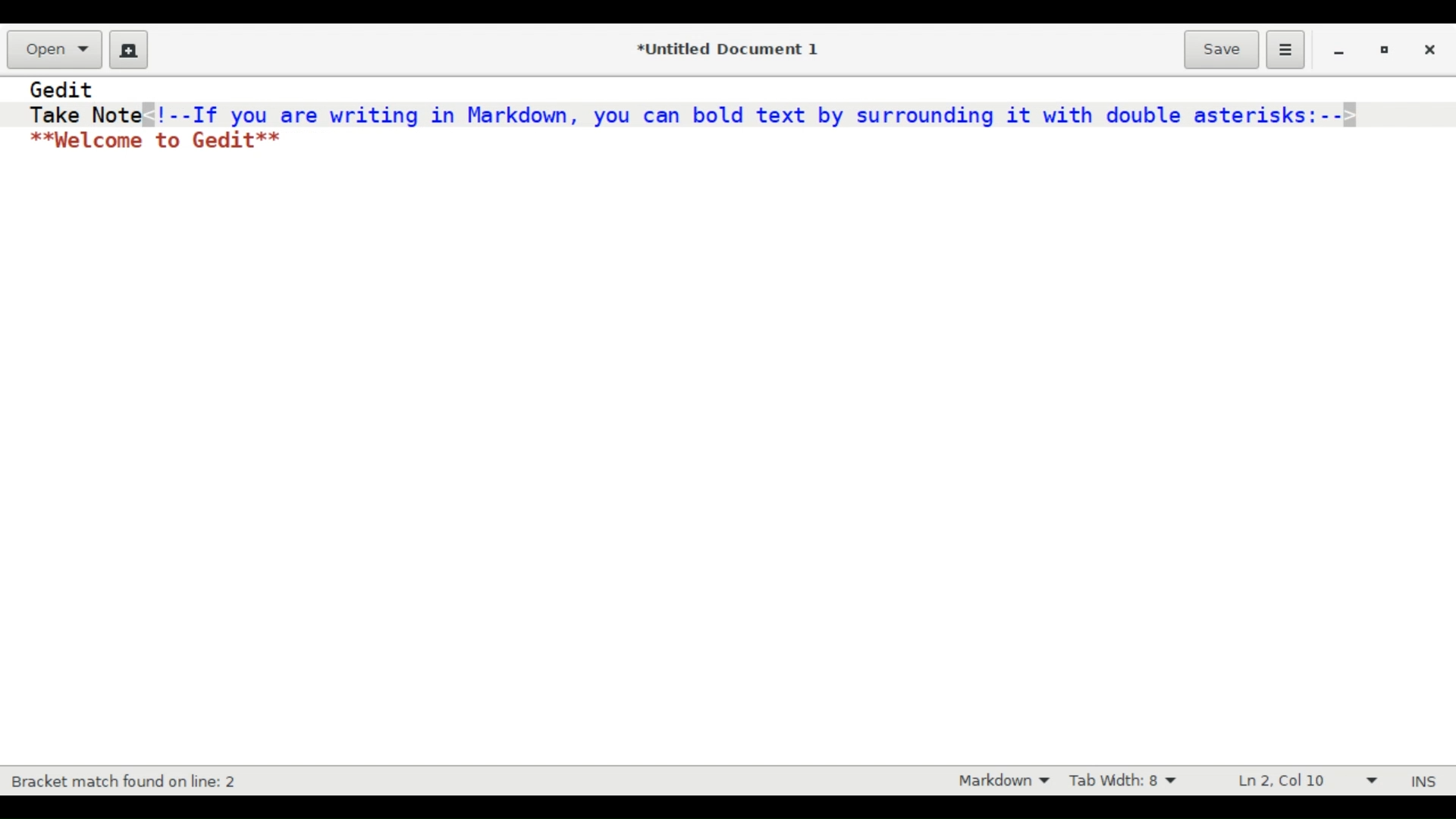 The image size is (1456, 819). I want to click on minimize, so click(1339, 52).